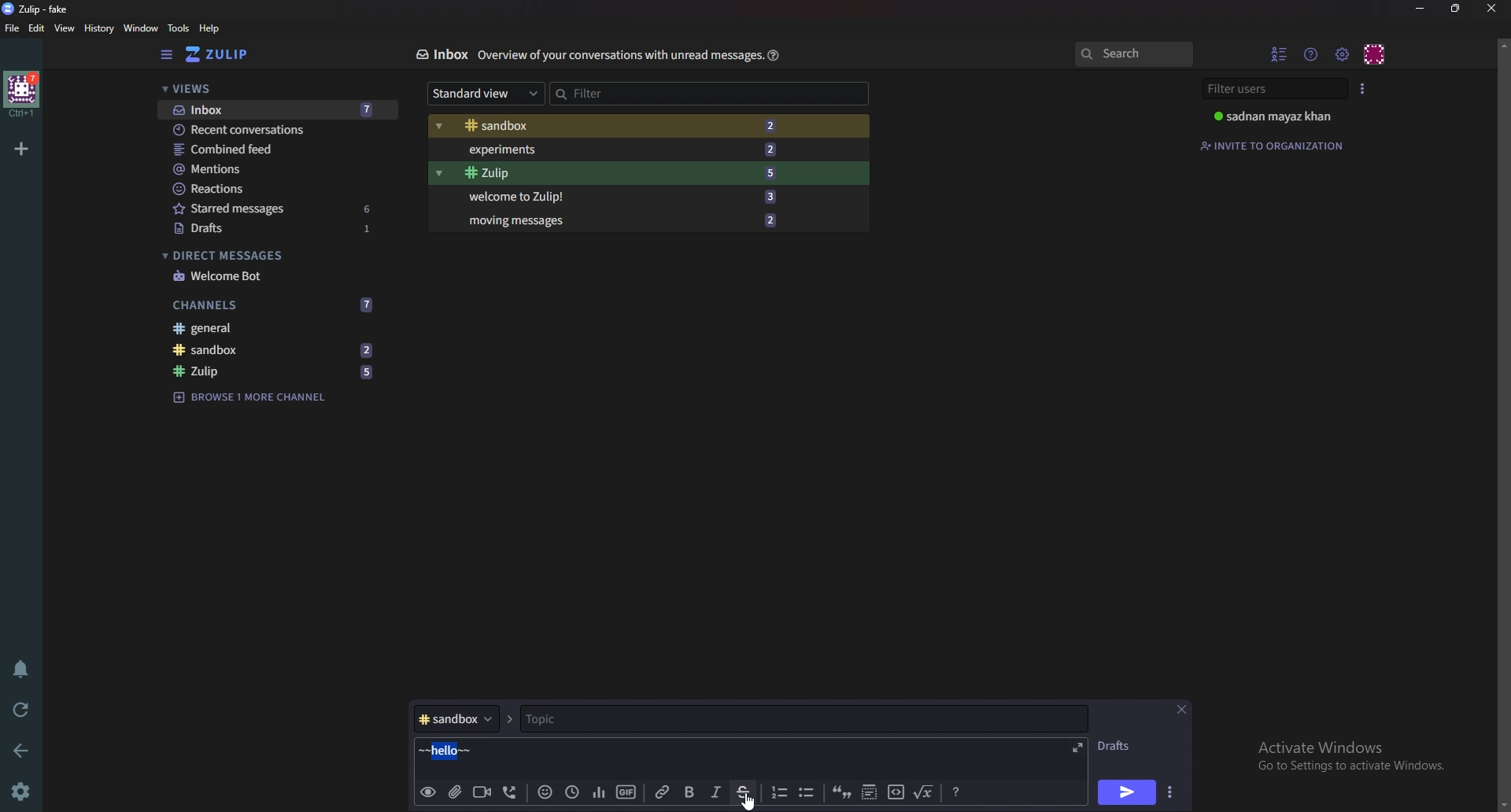 The width and height of the screenshot is (1511, 812). I want to click on Filter, so click(628, 93).